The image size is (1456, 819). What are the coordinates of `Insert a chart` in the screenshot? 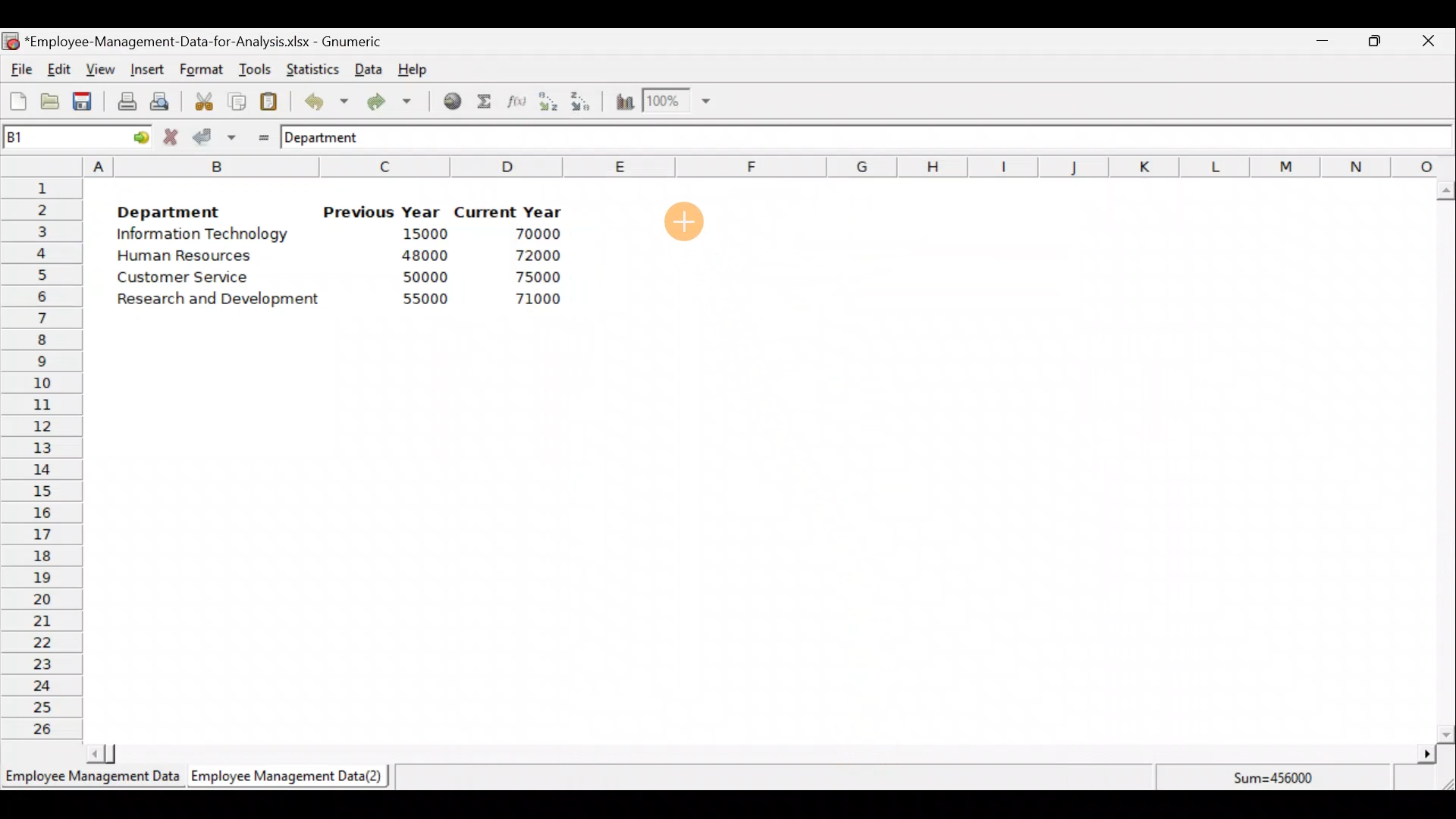 It's located at (621, 103).